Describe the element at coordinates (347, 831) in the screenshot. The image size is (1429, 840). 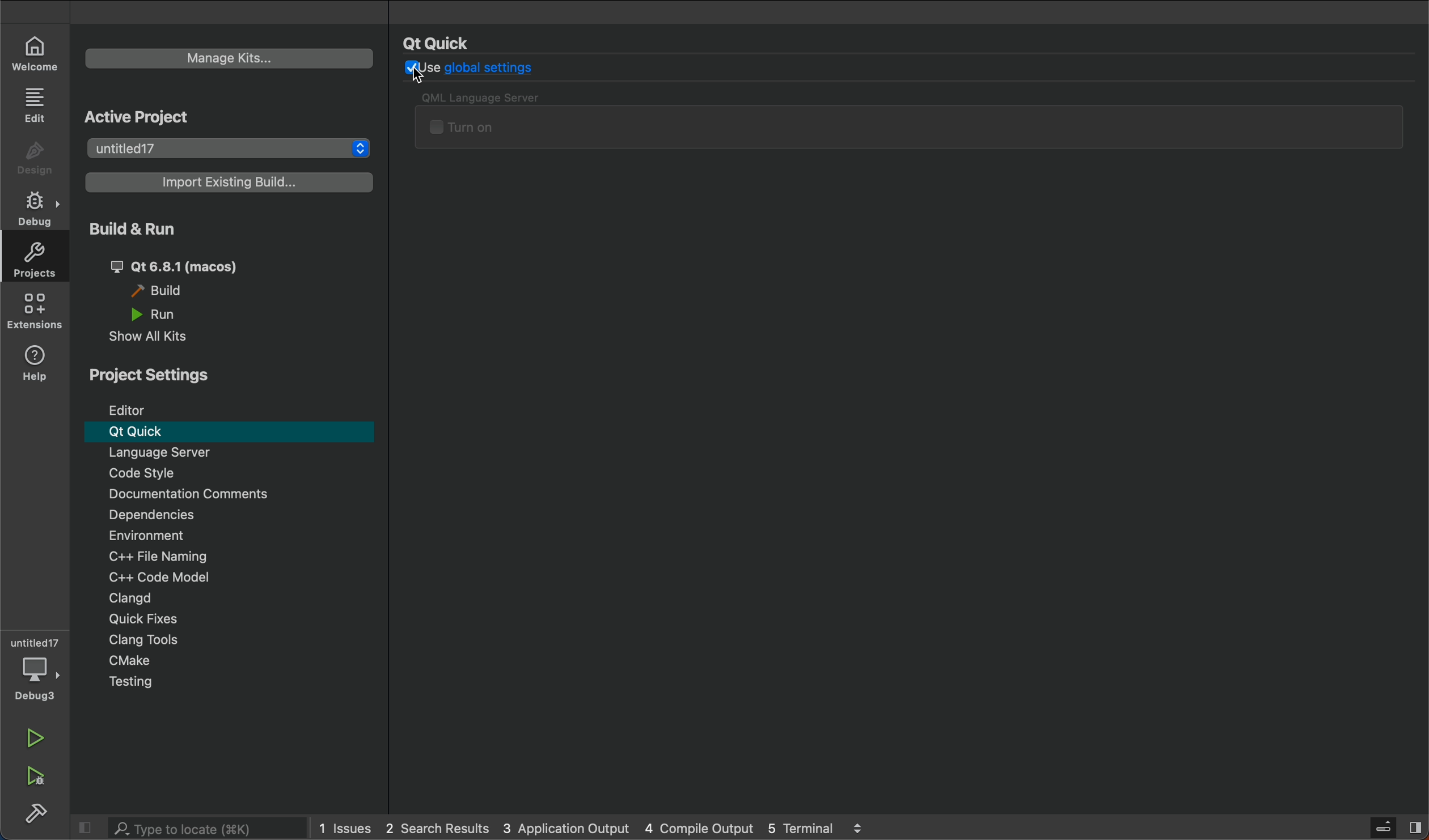
I see `issues` at that location.